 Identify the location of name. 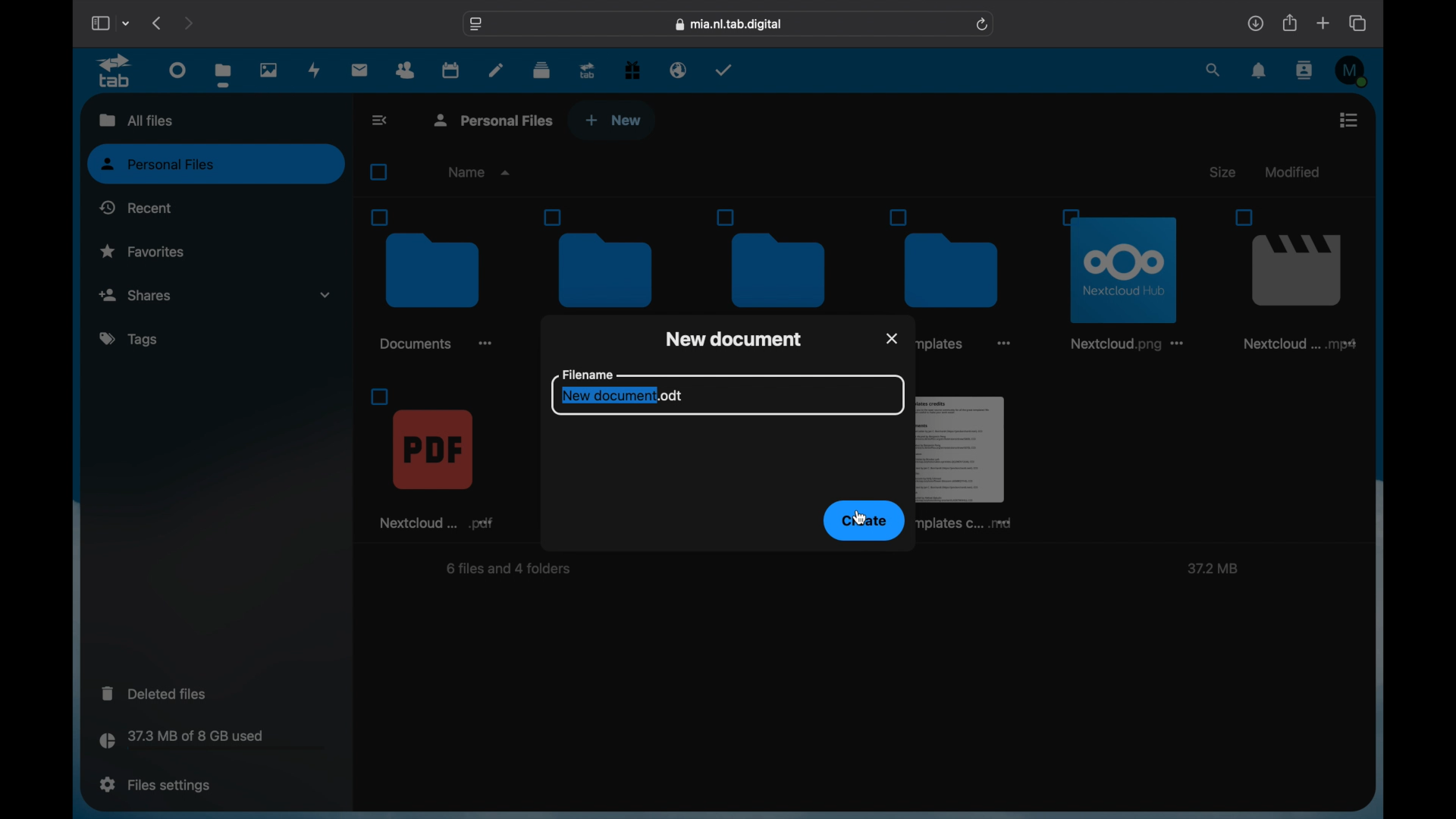
(481, 172).